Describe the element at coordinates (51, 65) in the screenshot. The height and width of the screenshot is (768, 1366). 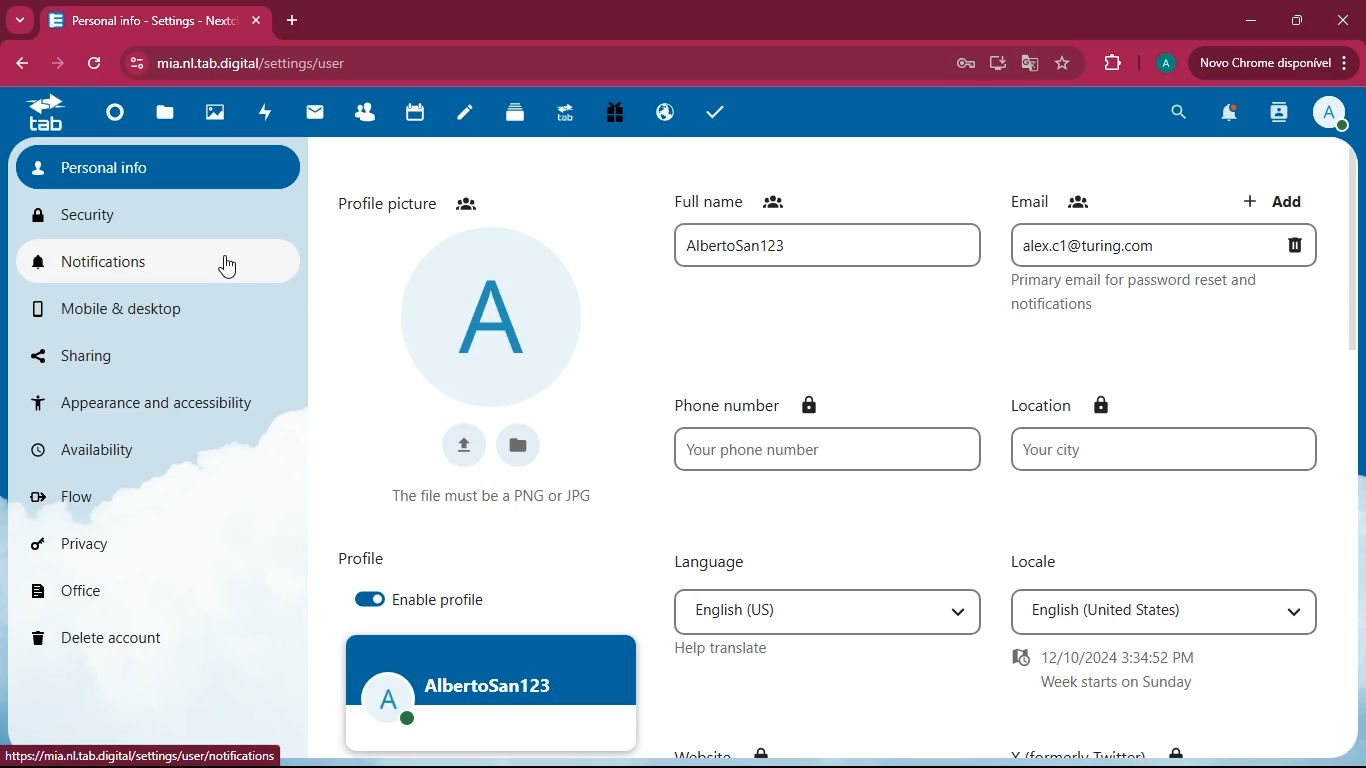
I see `forward` at that location.